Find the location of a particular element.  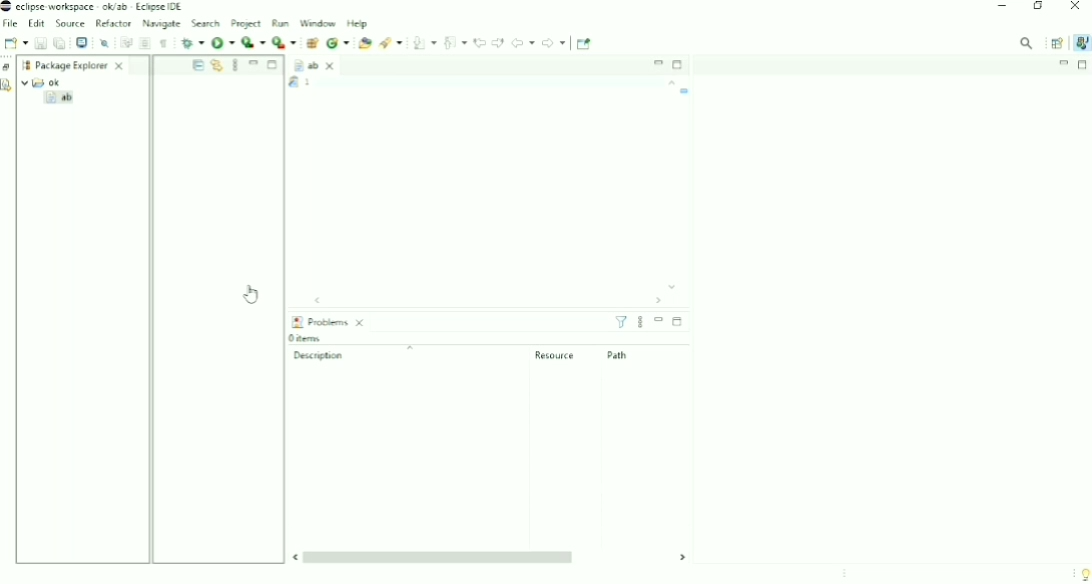

Save is located at coordinates (40, 43).